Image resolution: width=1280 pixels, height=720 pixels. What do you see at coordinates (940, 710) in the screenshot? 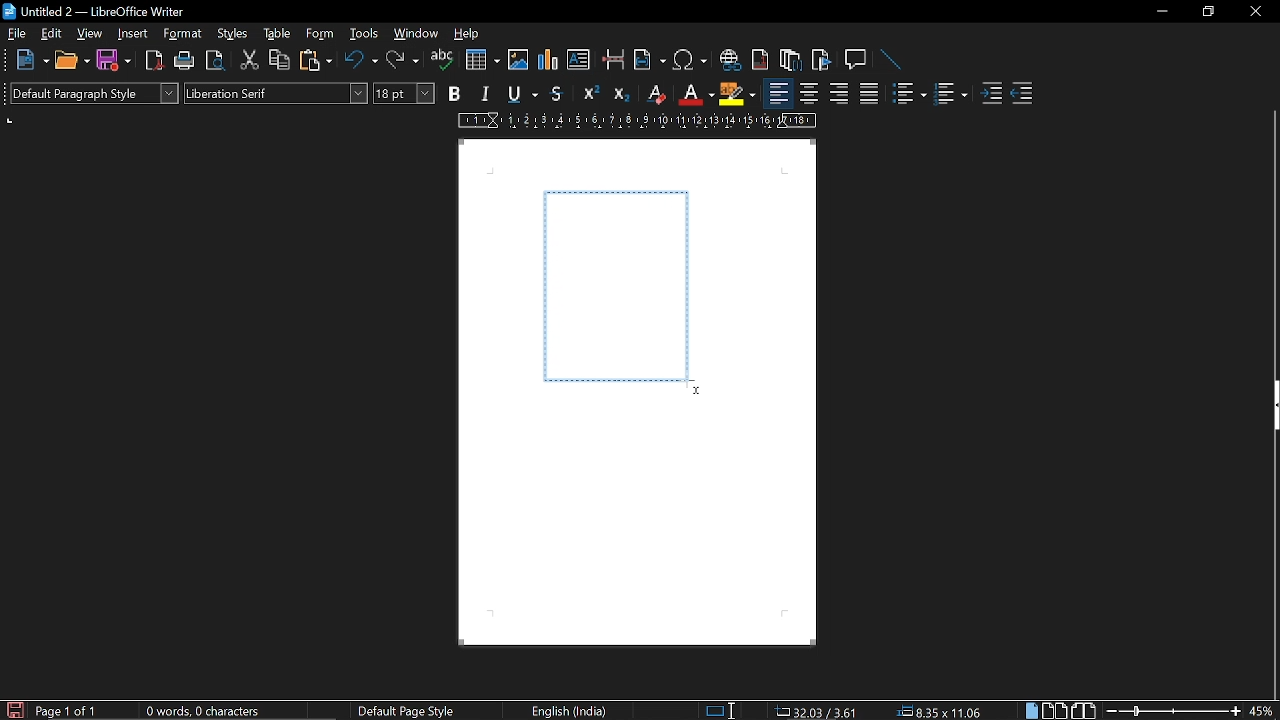
I see `8.35x11.06` at bounding box center [940, 710].